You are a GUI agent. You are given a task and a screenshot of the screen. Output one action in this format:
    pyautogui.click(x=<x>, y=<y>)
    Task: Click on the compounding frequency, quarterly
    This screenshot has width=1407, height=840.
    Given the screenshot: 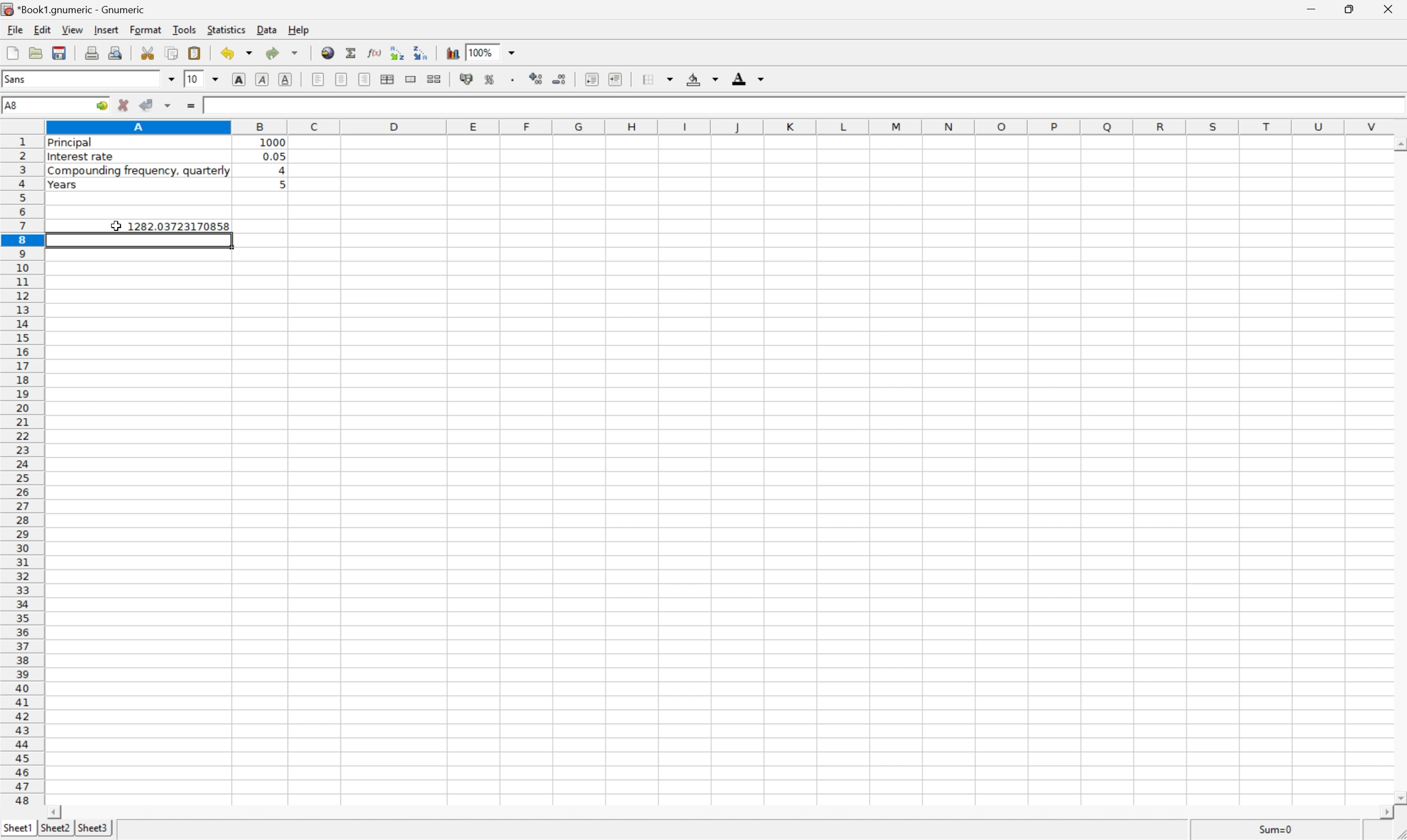 What is the action you would take?
    pyautogui.click(x=136, y=172)
    